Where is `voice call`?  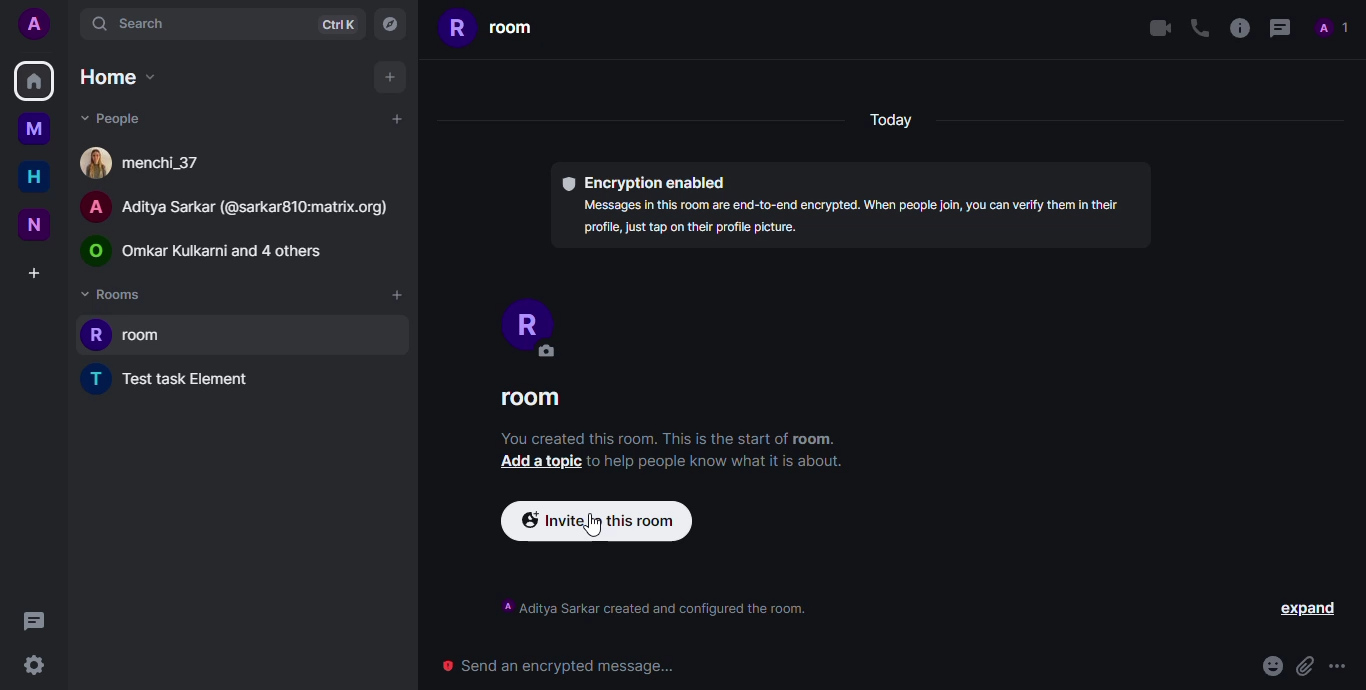 voice call is located at coordinates (1199, 28).